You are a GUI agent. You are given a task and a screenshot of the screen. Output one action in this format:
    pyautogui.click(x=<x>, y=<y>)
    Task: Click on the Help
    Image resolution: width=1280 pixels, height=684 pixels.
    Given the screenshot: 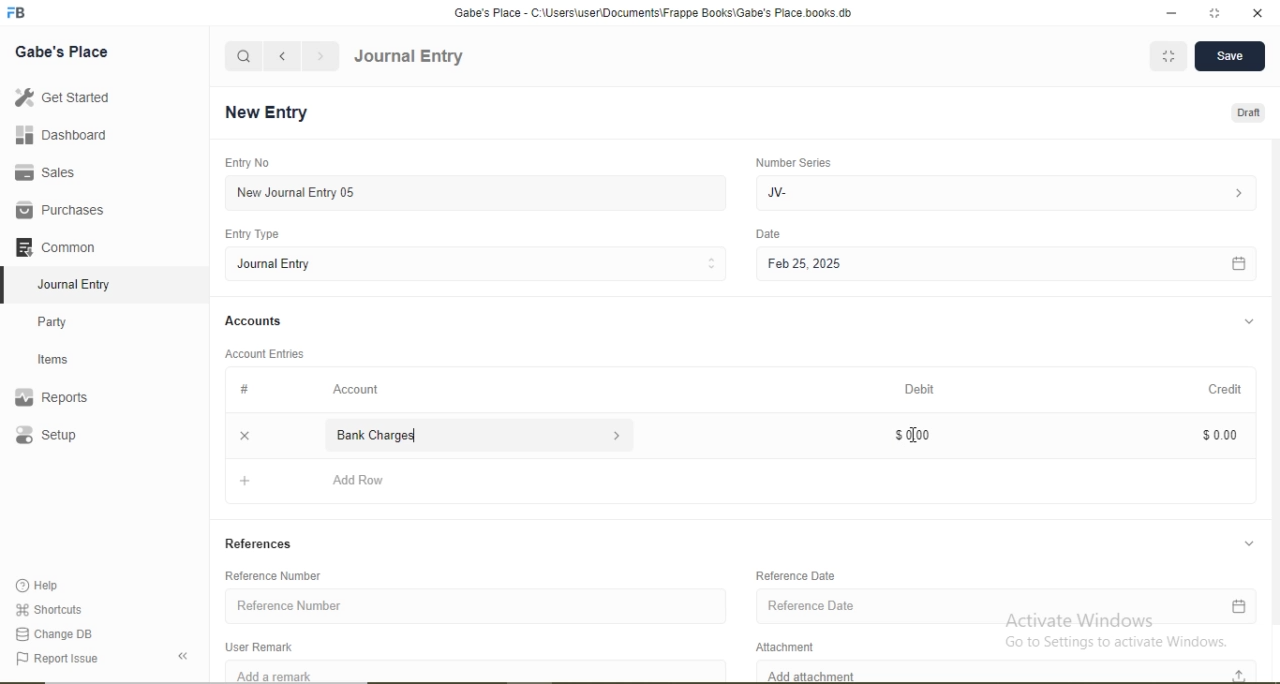 What is the action you would take?
    pyautogui.click(x=46, y=586)
    